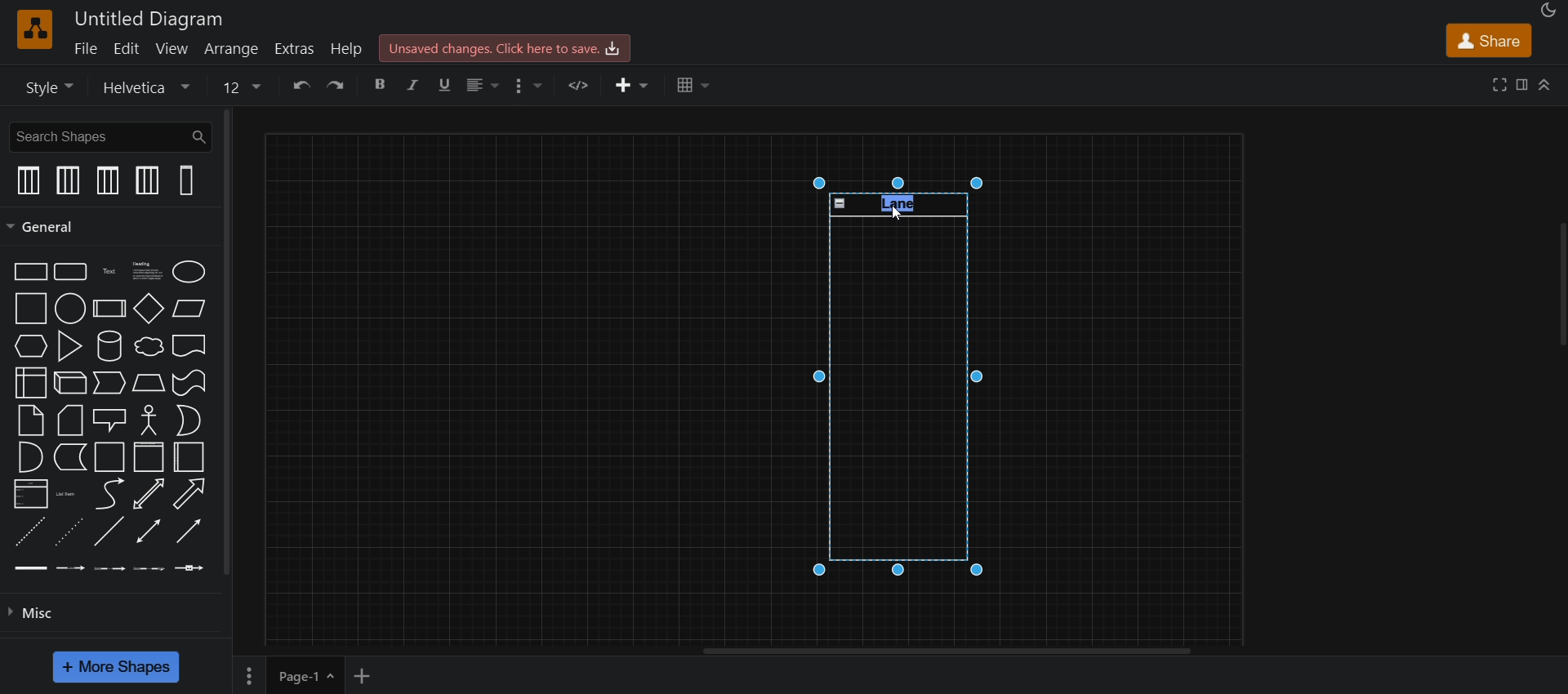 This screenshot has height=694, width=1568. Describe the element at coordinates (1547, 81) in the screenshot. I see `collapase/expand ` at that location.